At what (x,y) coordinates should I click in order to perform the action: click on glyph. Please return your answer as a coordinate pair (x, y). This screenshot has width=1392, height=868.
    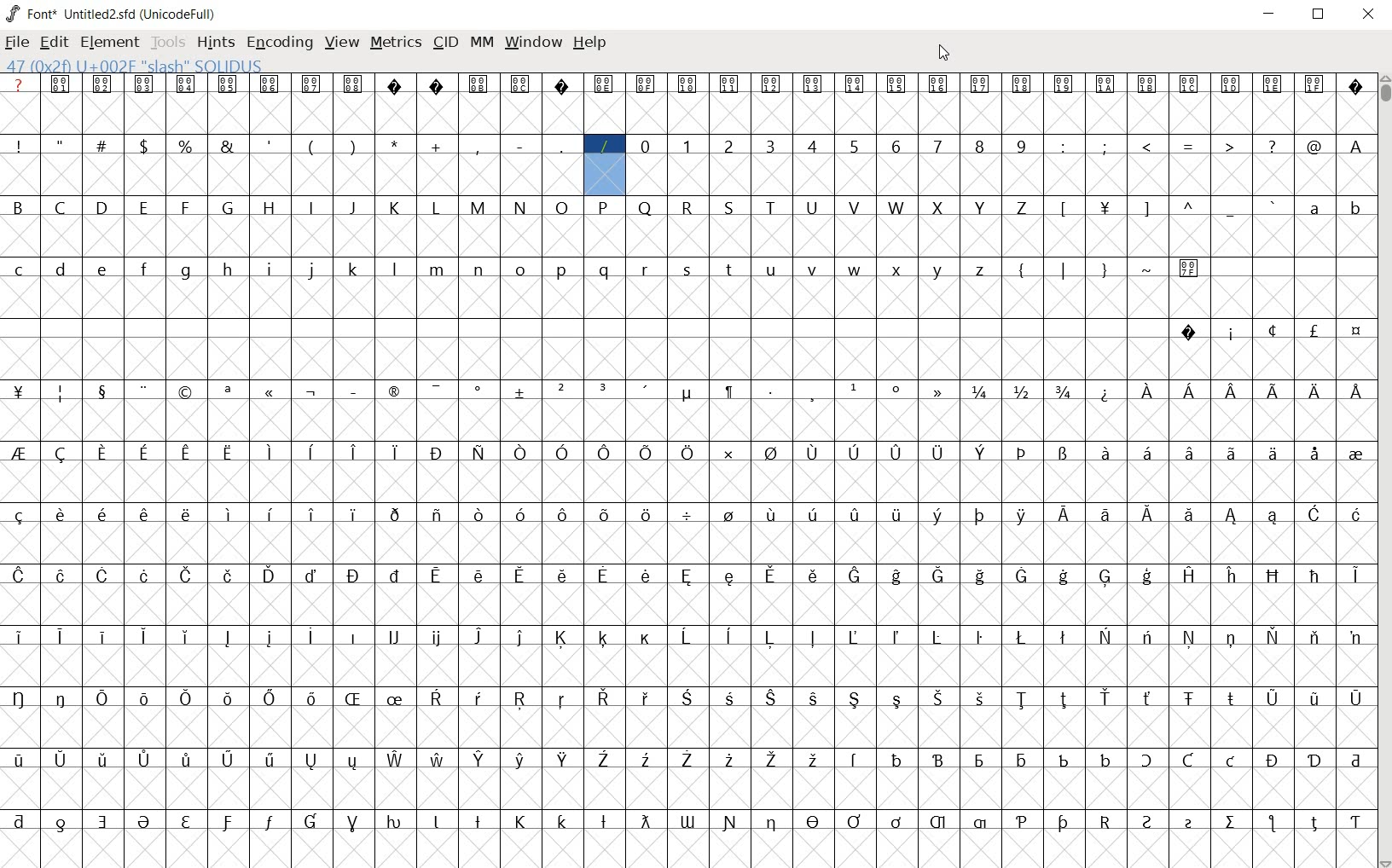
    Looking at the image, I should click on (1063, 637).